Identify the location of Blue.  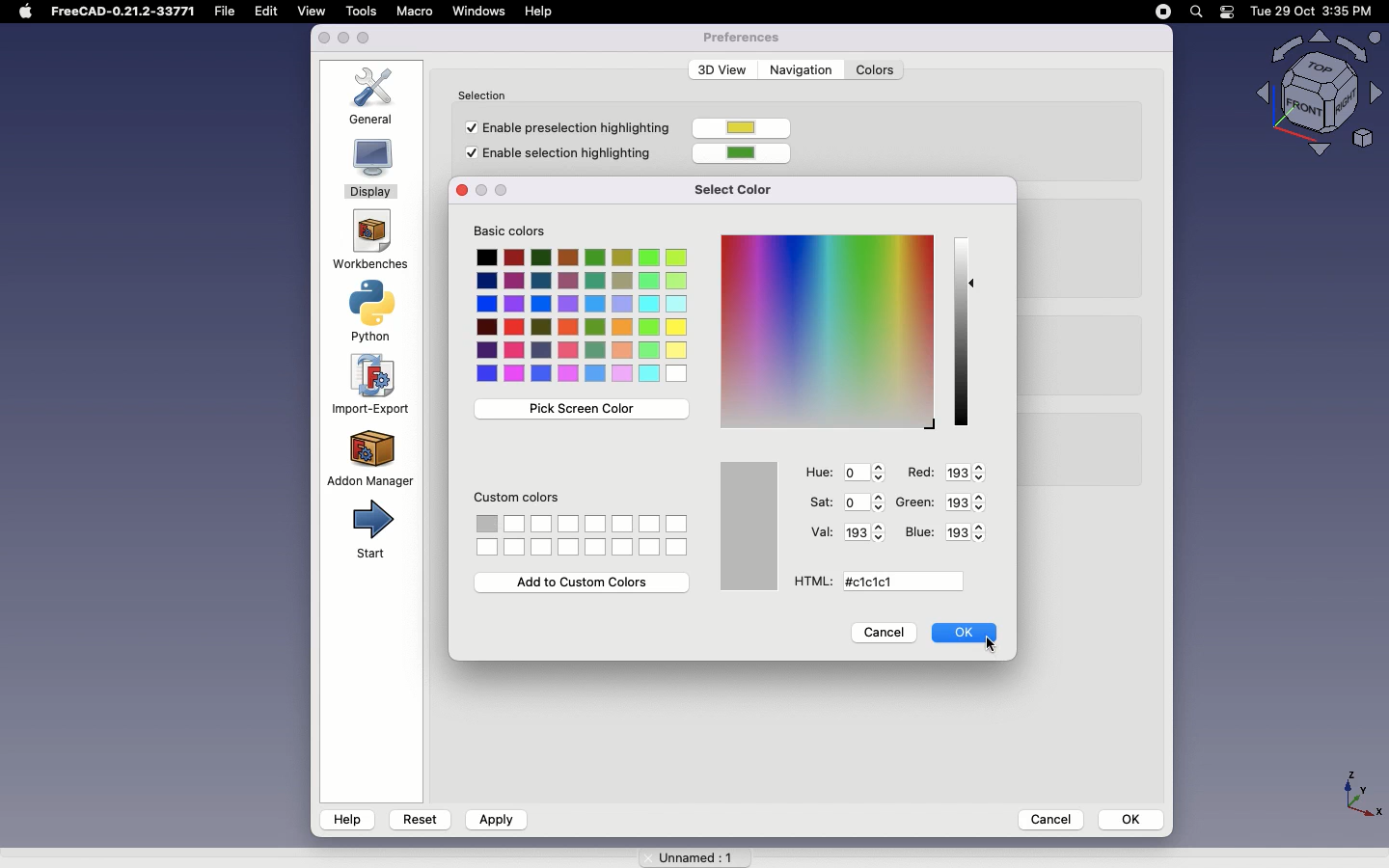
(919, 532).